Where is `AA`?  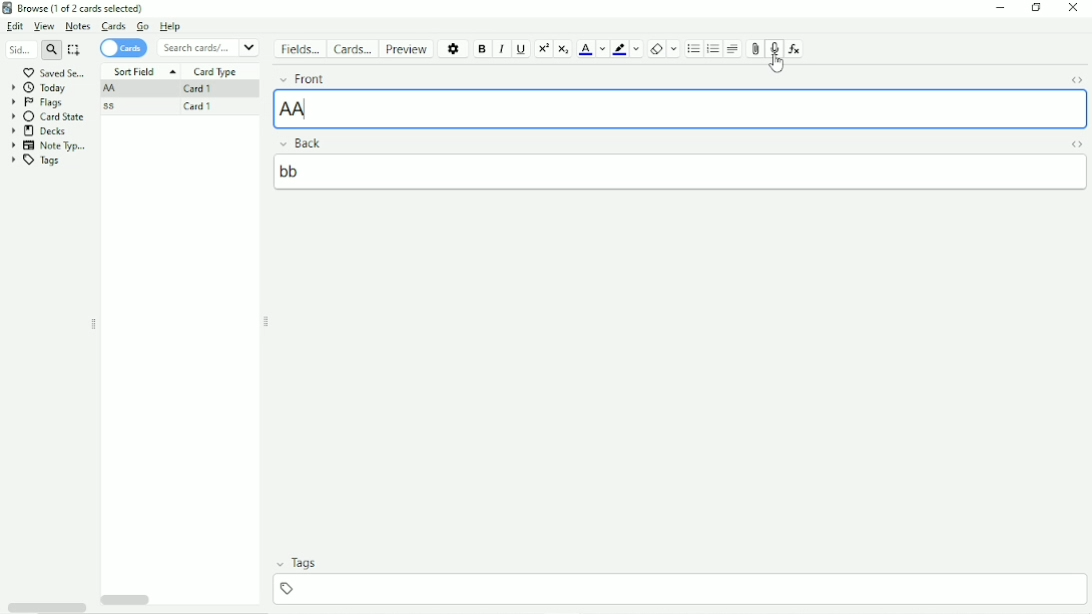 AA is located at coordinates (110, 89).